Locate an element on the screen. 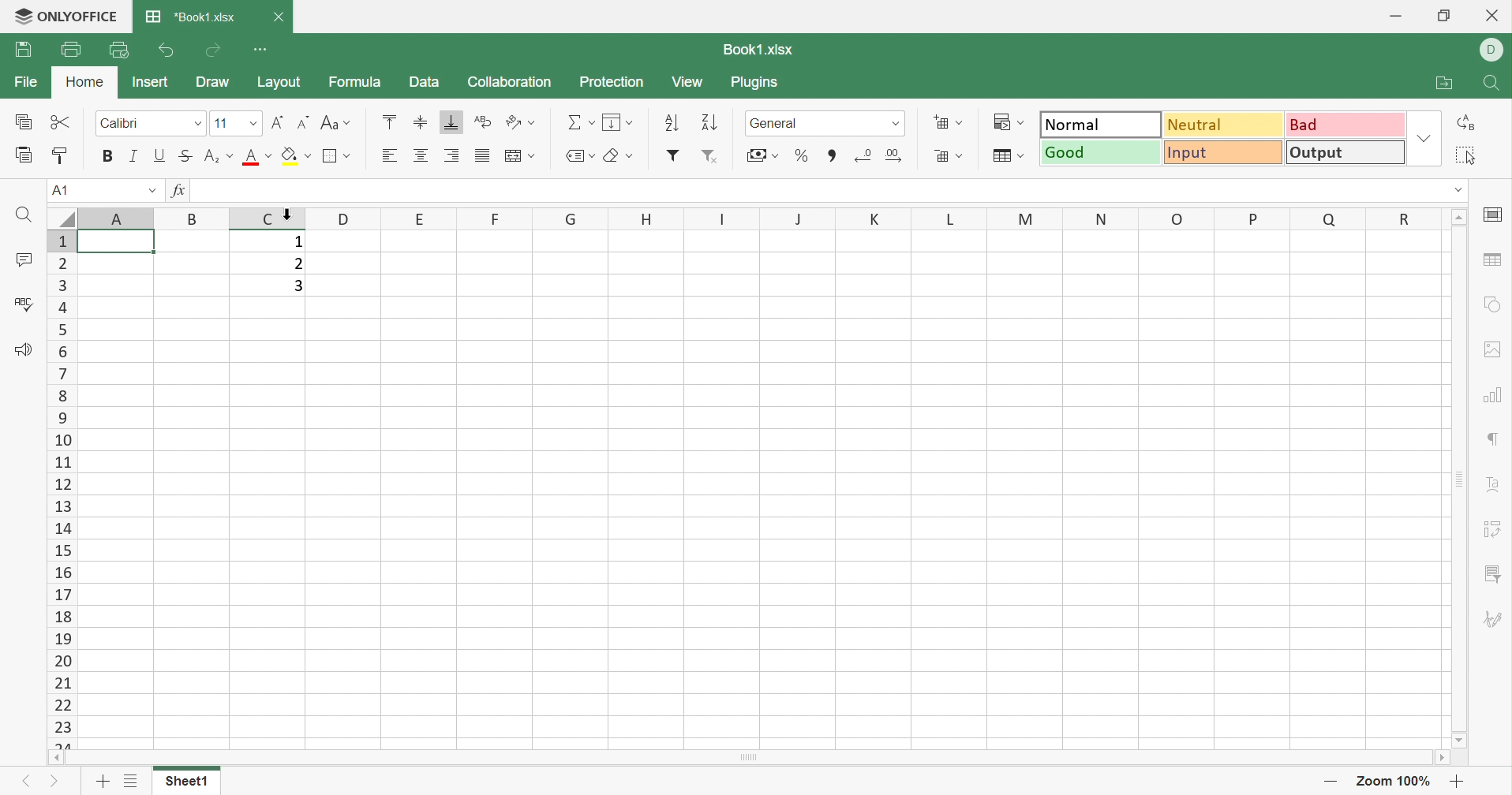 The image size is (1512, 795). Delete cells is located at coordinates (941, 155).